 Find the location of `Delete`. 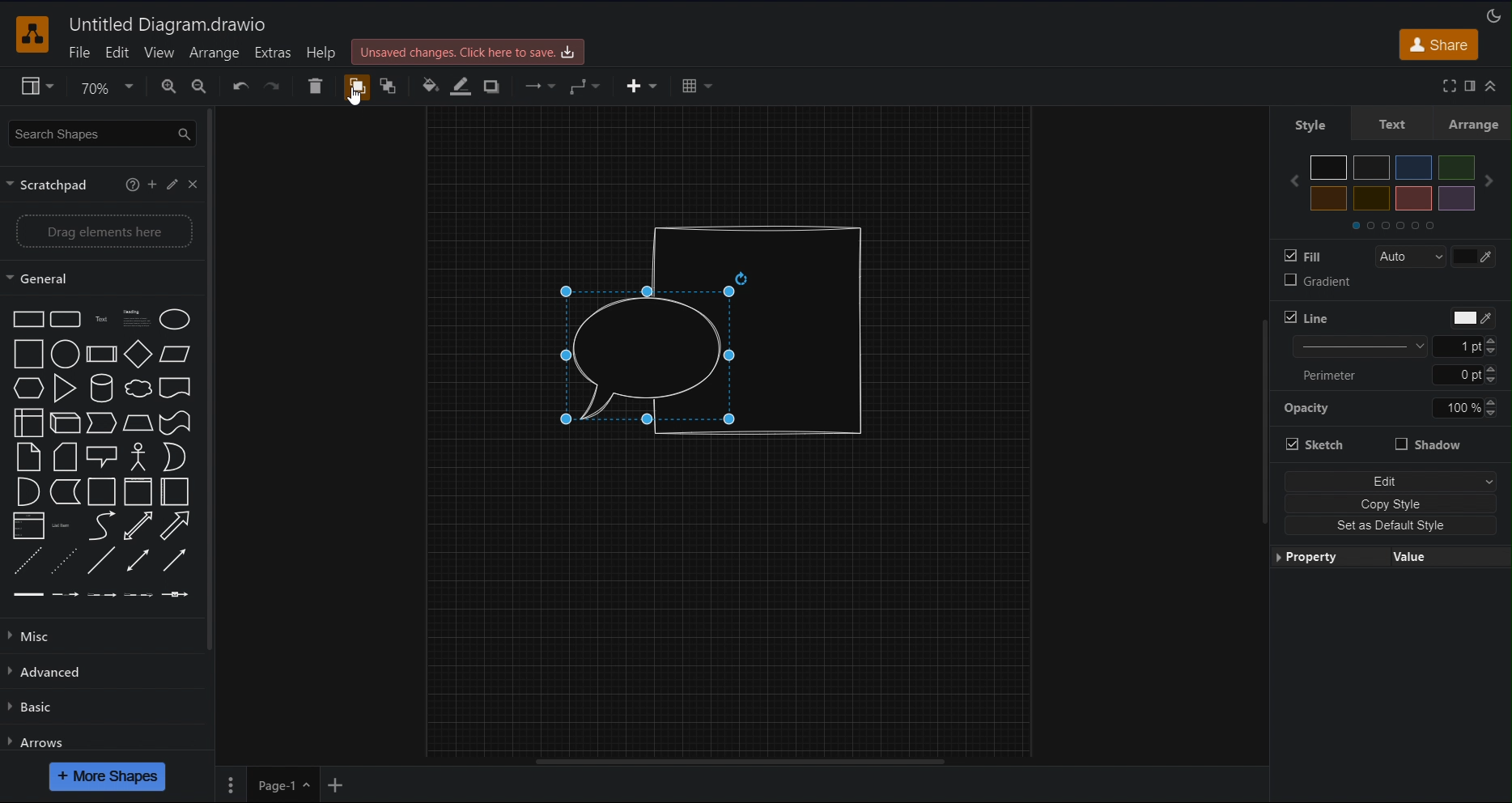

Delete is located at coordinates (316, 86).